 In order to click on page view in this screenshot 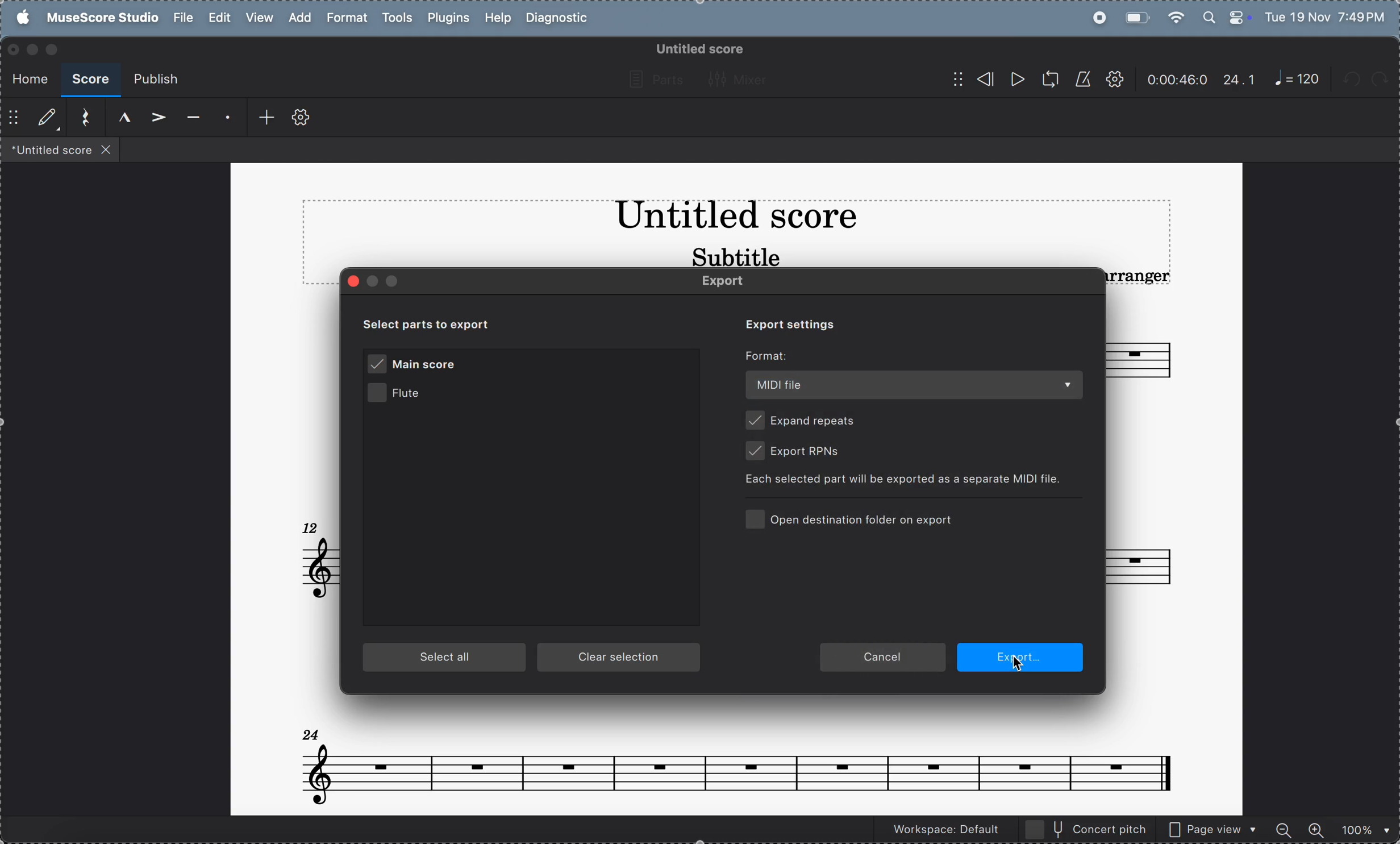, I will do `click(1213, 828)`.